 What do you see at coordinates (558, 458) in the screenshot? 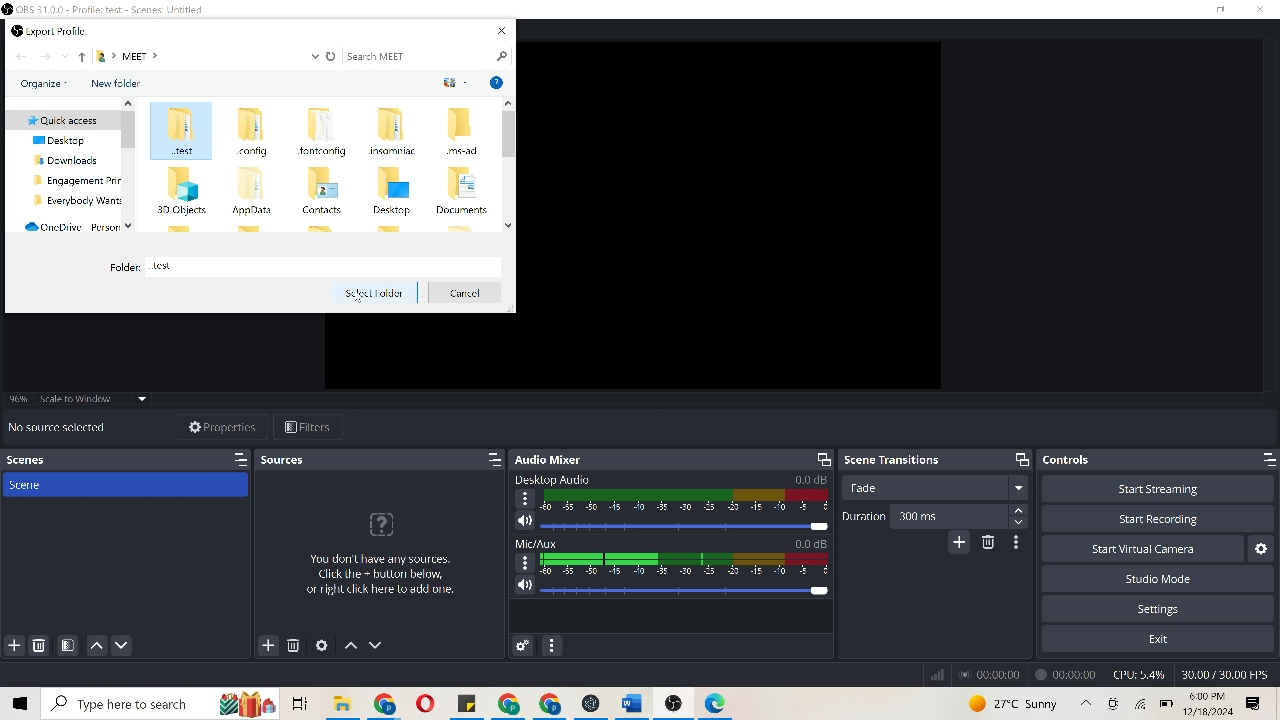
I see `audio mixer` at bounding box center [558, 458].